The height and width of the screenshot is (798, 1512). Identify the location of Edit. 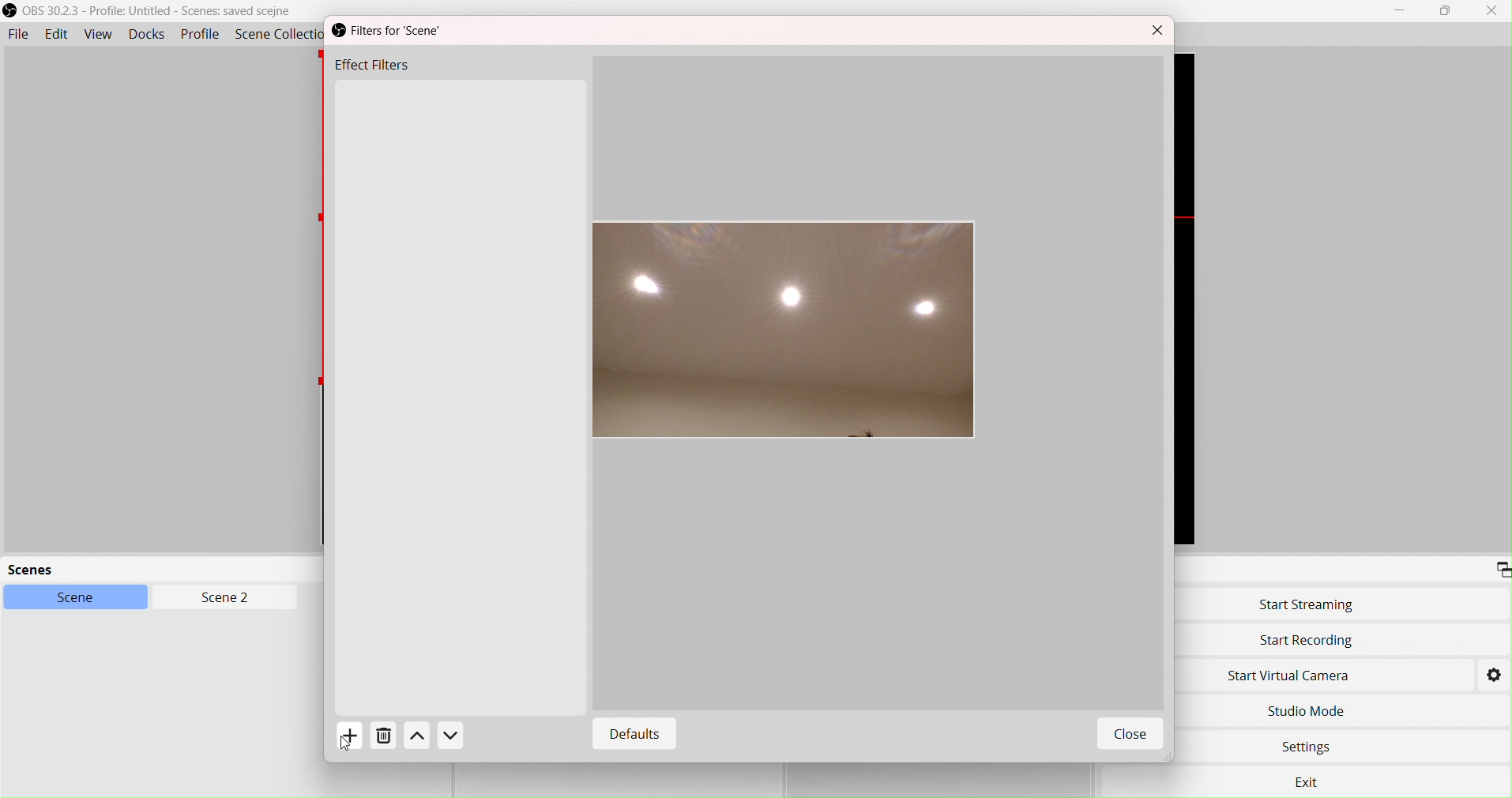
(56, 35).